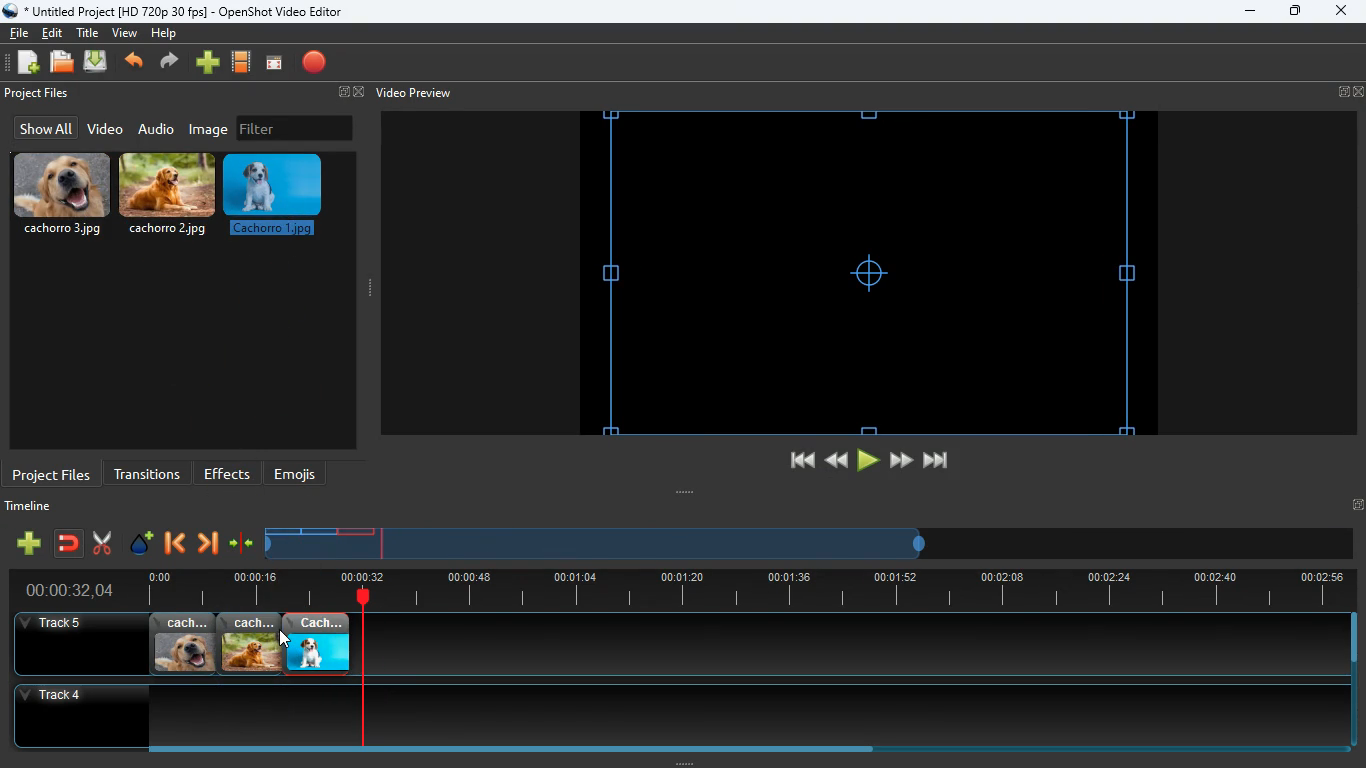  What do you see at coordinates (317, 644) in the screenshot?
I see `cachorro.1.jpg` at bounding box center [317, 644].